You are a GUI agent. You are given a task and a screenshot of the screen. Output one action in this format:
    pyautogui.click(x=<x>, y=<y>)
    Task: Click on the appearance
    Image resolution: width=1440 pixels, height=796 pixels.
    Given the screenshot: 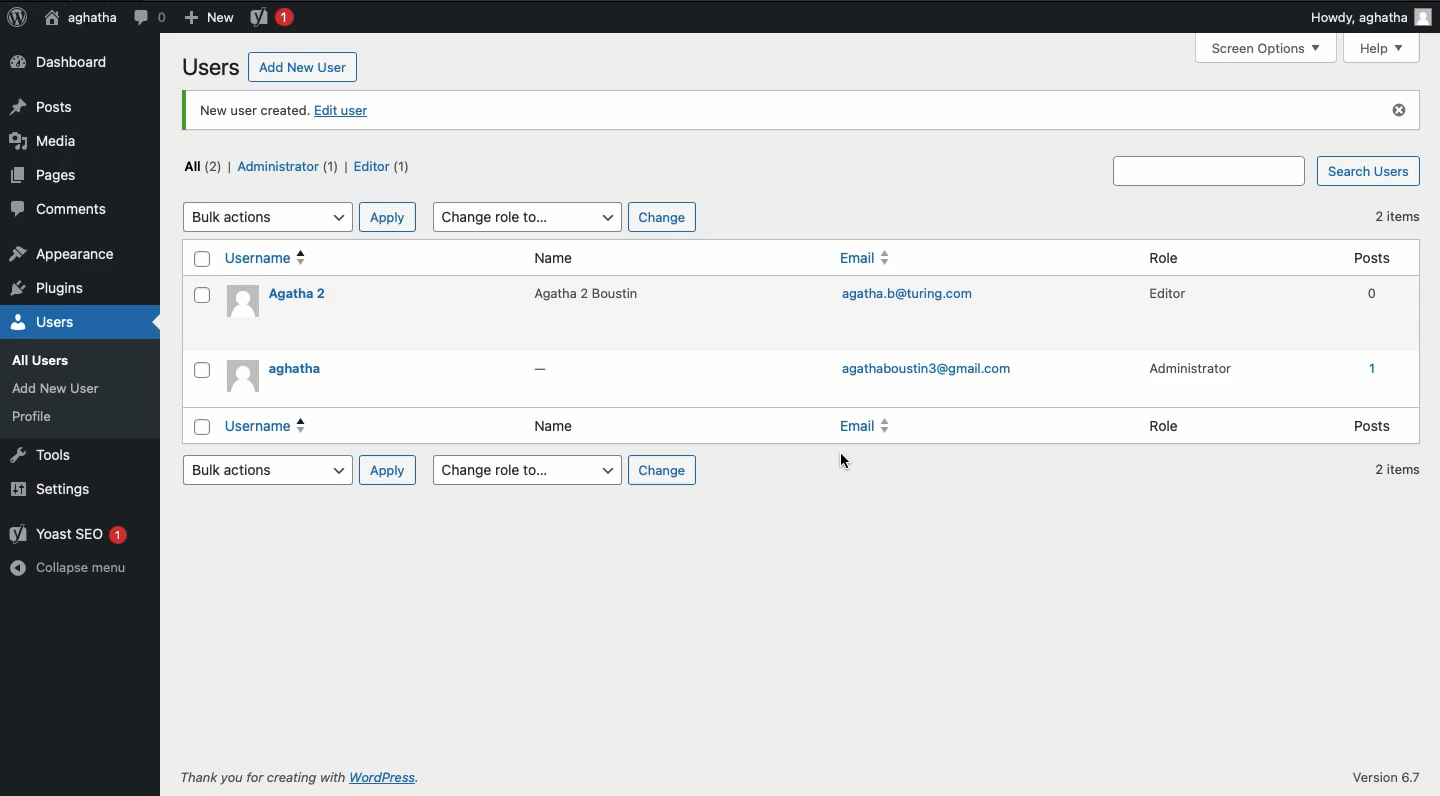 What is the action you would take?
    pyautogui.click(x=63, y=256)
    